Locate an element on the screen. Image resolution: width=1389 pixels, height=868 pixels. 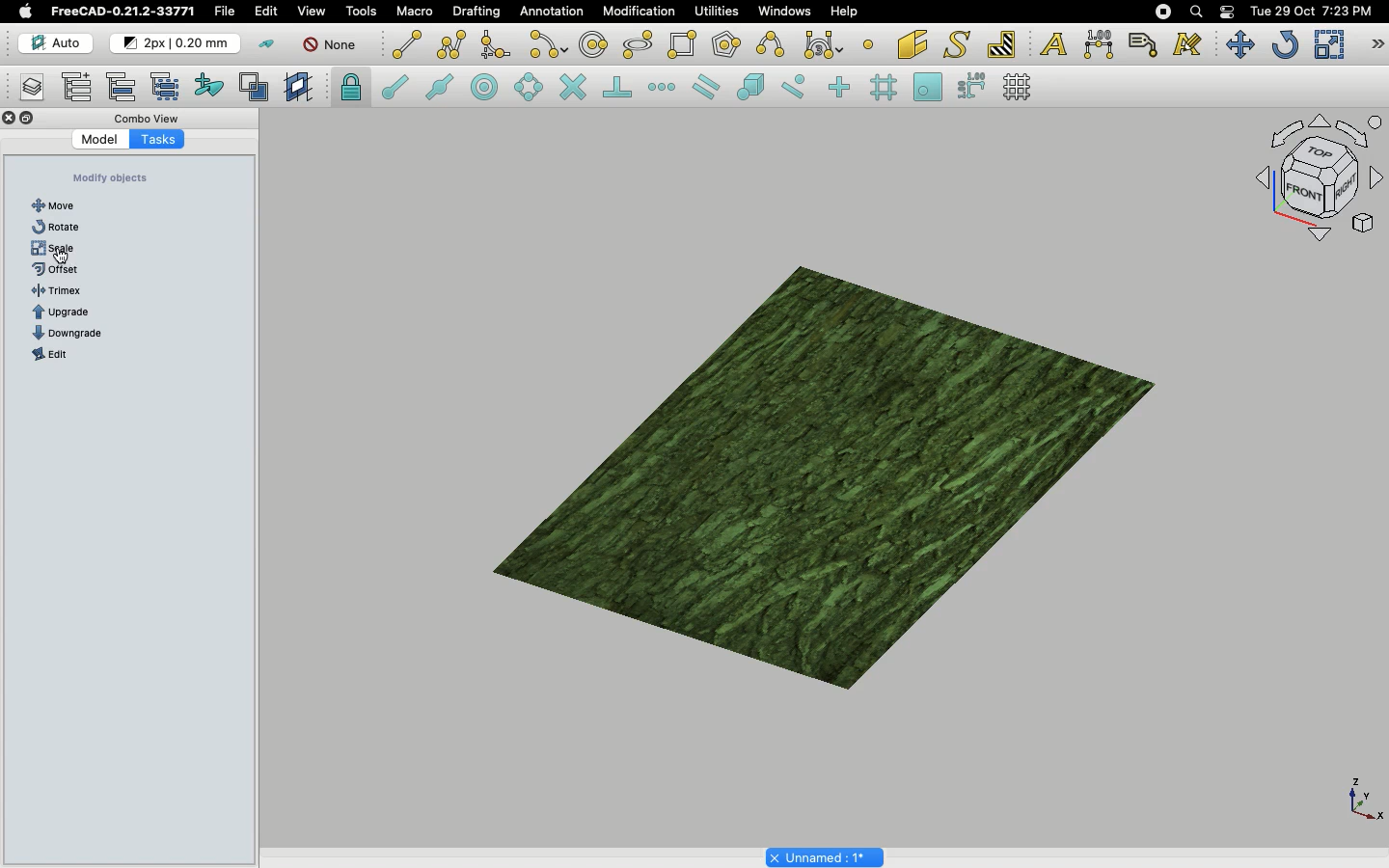
Shape from text is located at coordinates (955, 44).